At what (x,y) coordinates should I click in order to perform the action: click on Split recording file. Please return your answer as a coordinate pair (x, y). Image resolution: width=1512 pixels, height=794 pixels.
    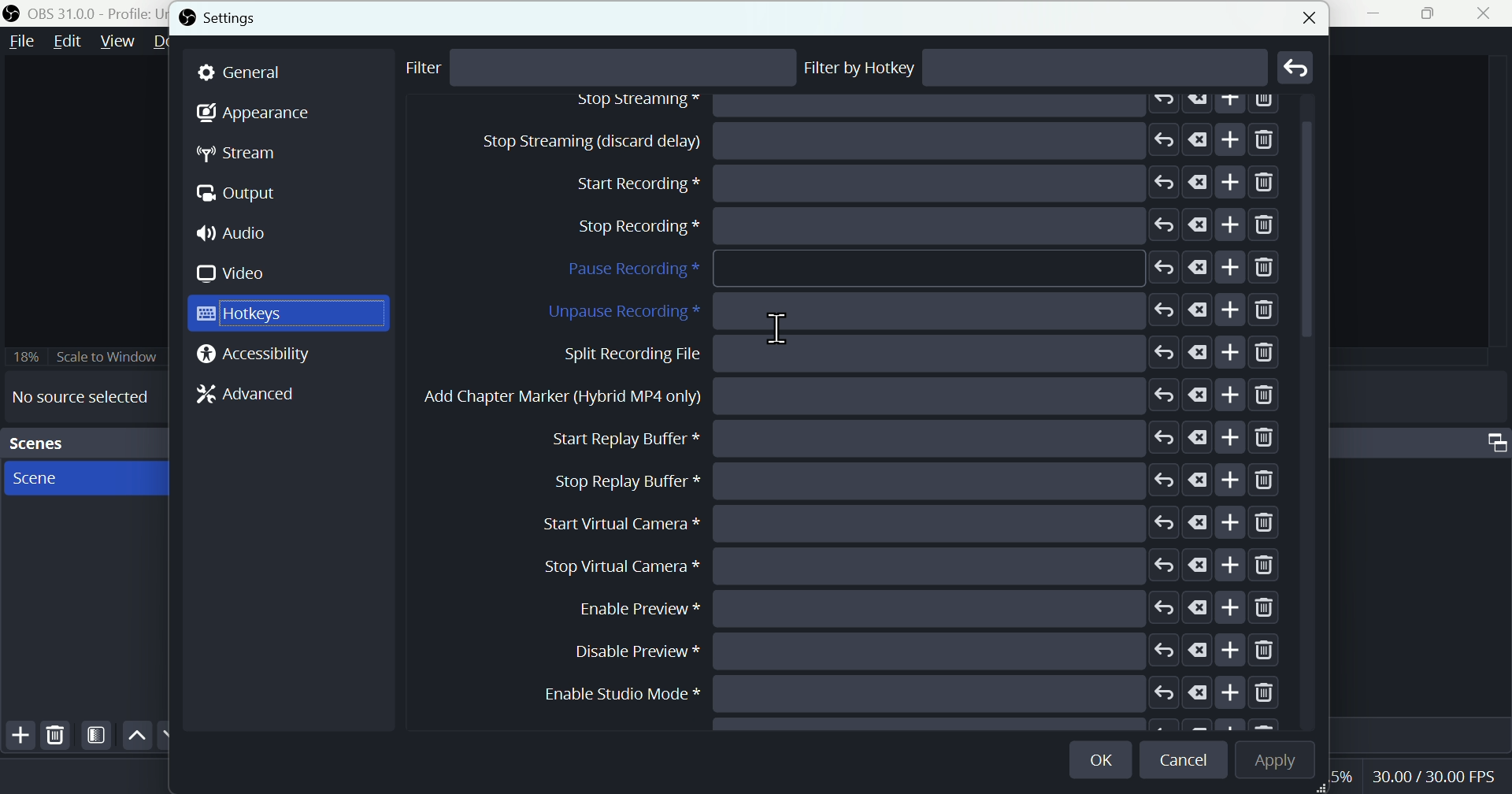
    Looking at the image, I should click on (907, 353).